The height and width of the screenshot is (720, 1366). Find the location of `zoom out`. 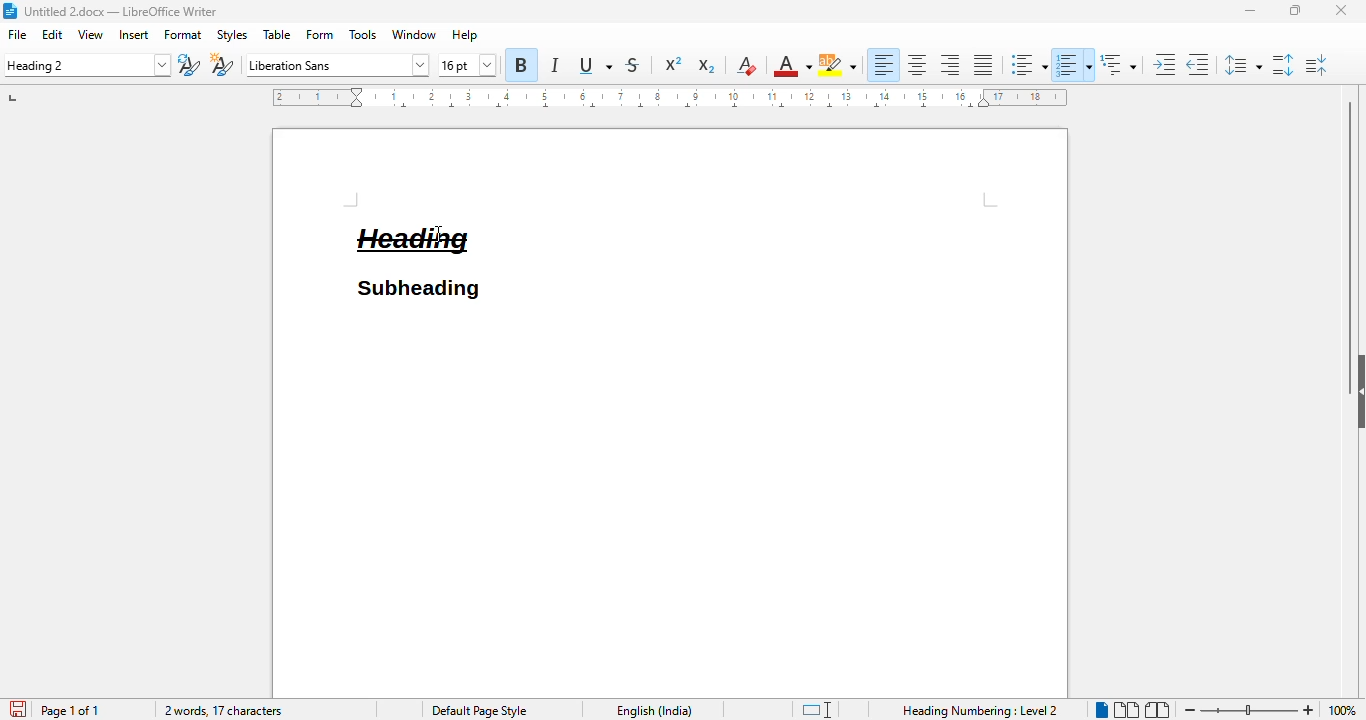

zoom out is located at coordinates (1188, 710).